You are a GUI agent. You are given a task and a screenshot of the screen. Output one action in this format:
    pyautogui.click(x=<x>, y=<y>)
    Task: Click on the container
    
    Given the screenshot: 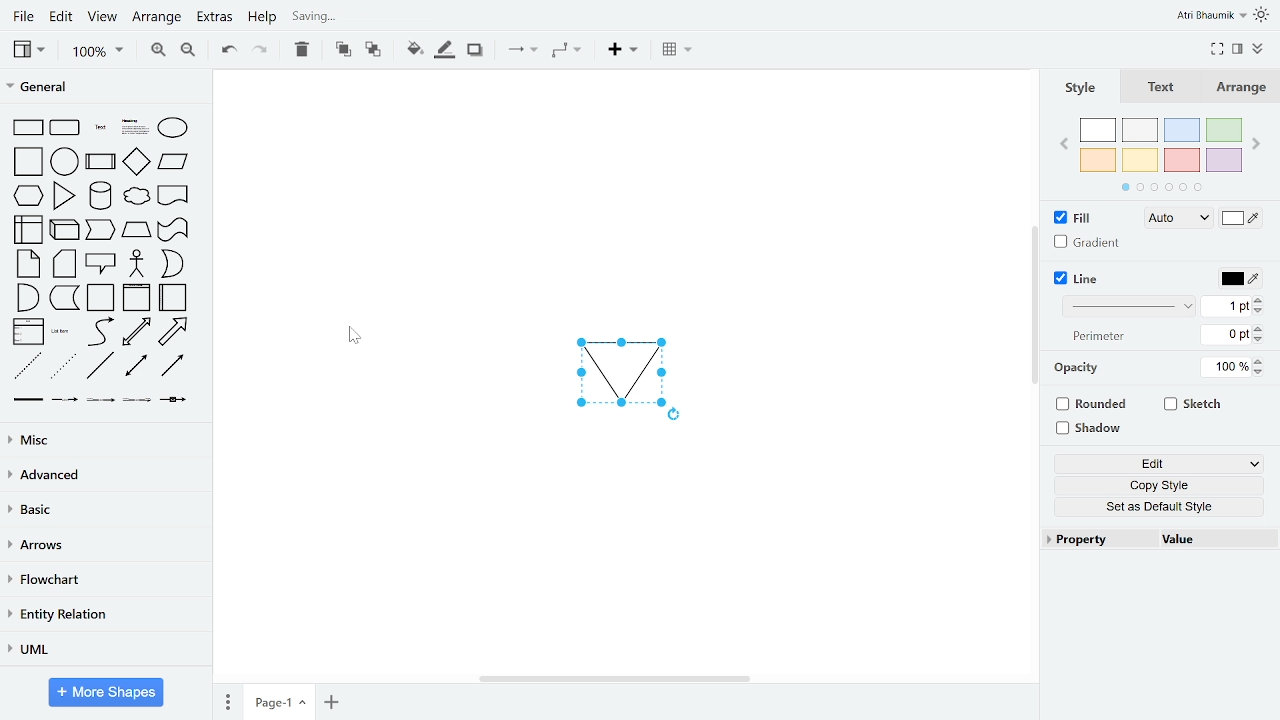 What is the action you would take?
    pyautogui.click(x=100, y=298)
    